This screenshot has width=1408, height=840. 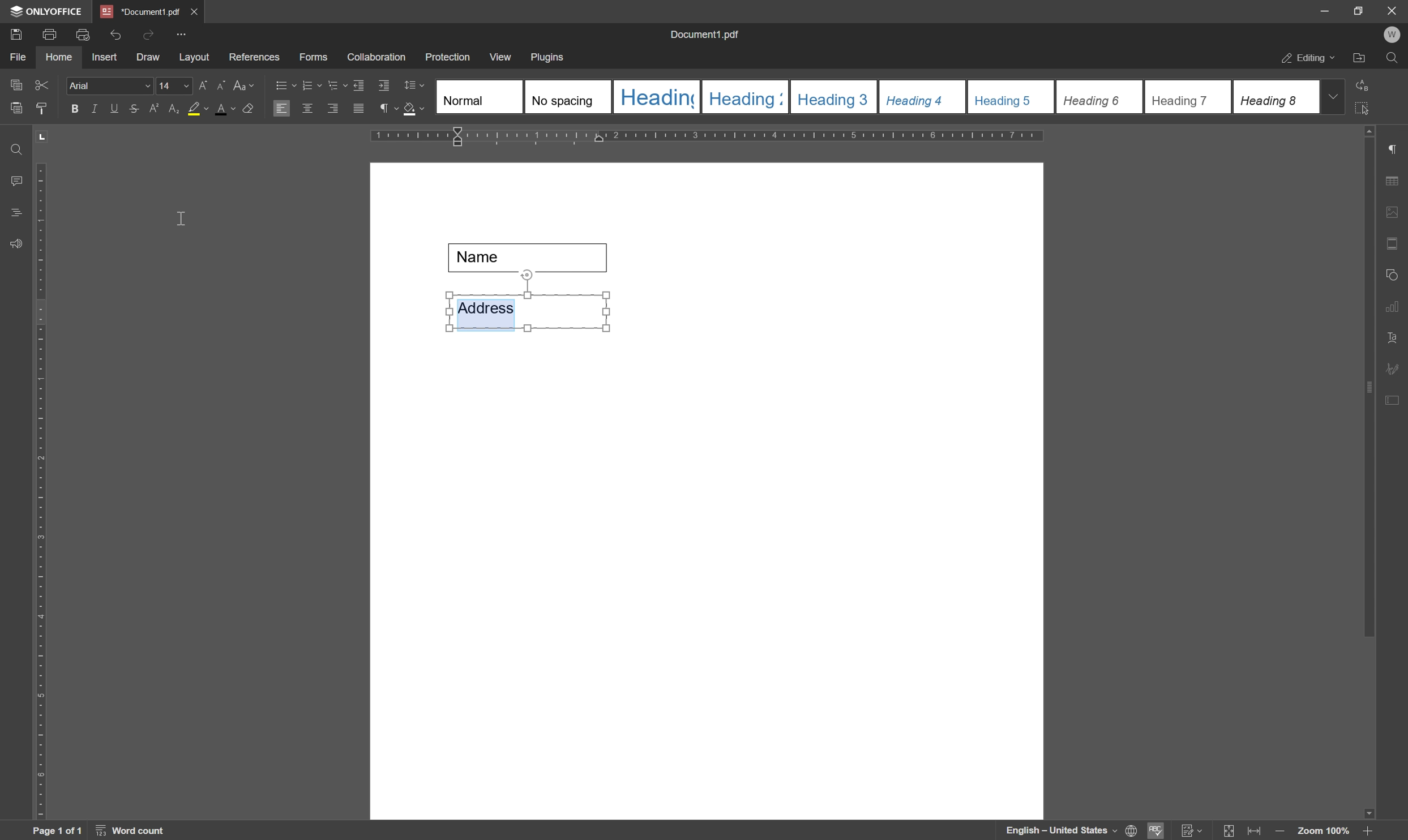 What do you see at coordinates (16, 57) in the screenshot?
I see `file` at bounding box center [16, 57].